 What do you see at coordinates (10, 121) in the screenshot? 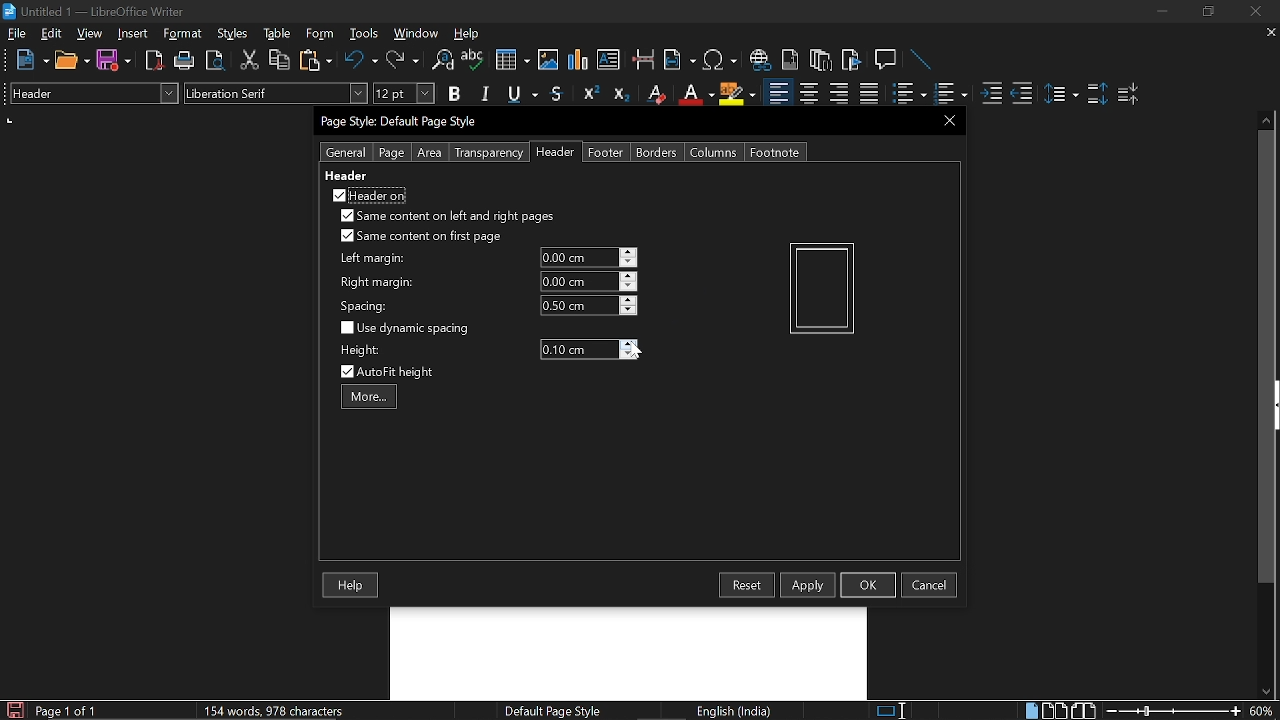
I see `units` at bounding box center [10, 121].